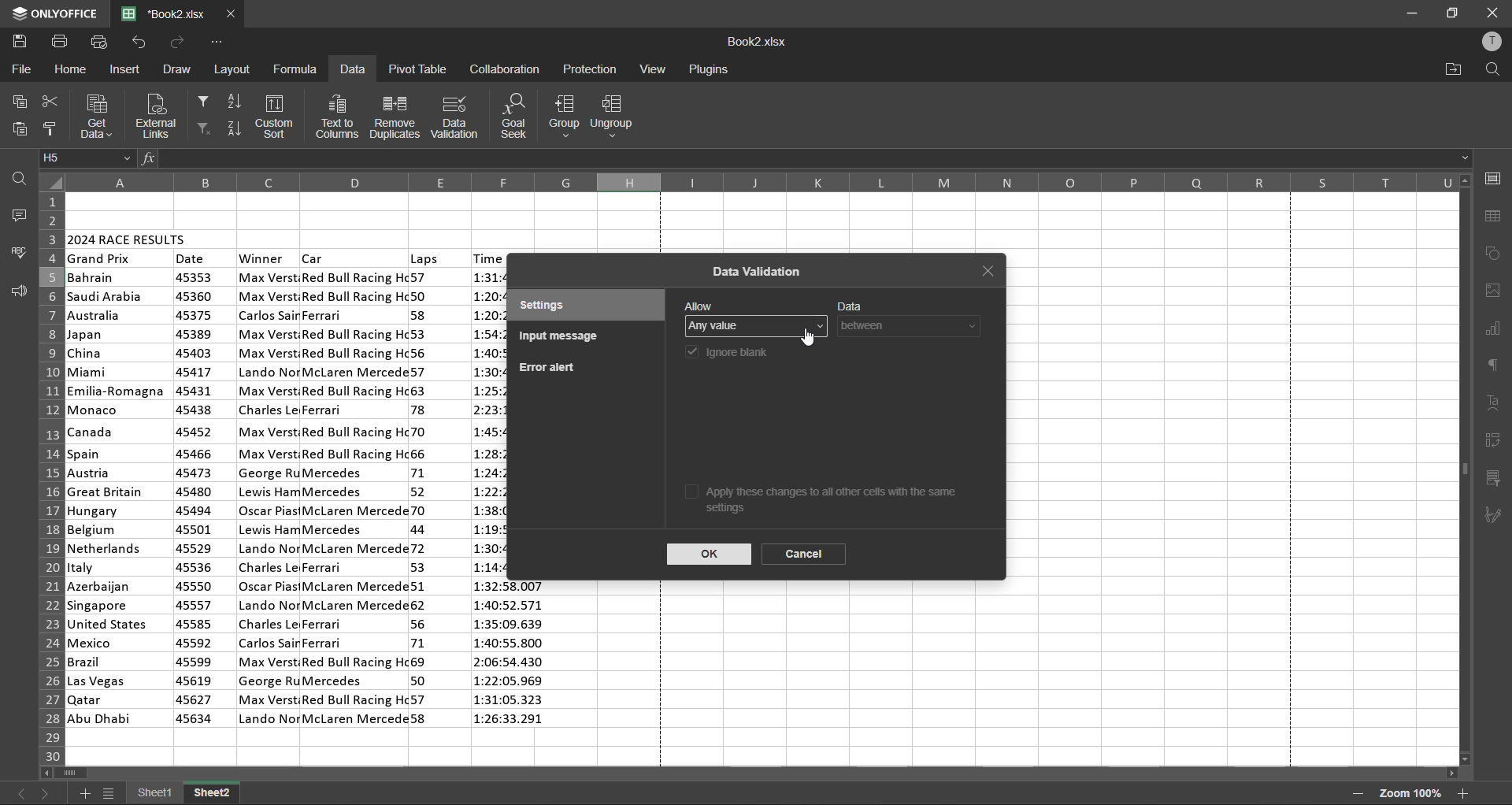 The width and height of the screenshot is (1512, 805). I want to click on view, so click(652, 69).